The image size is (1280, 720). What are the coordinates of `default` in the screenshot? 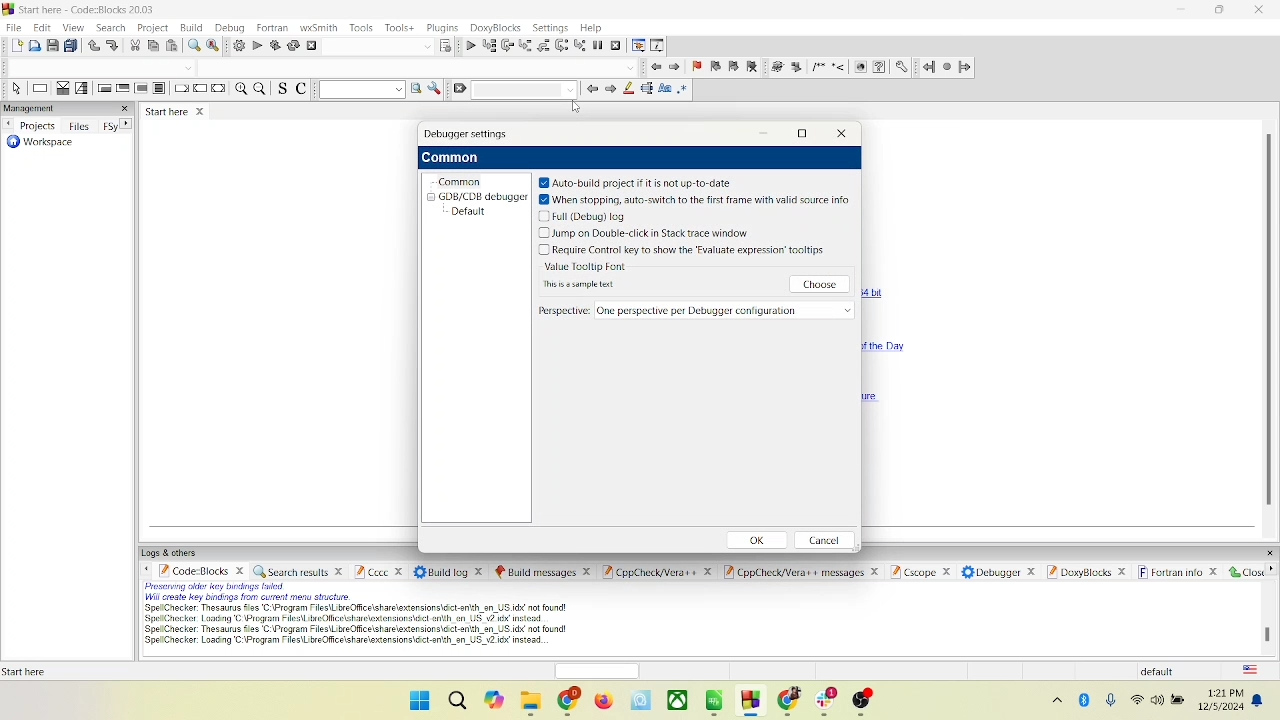 It's located at (467, 213).